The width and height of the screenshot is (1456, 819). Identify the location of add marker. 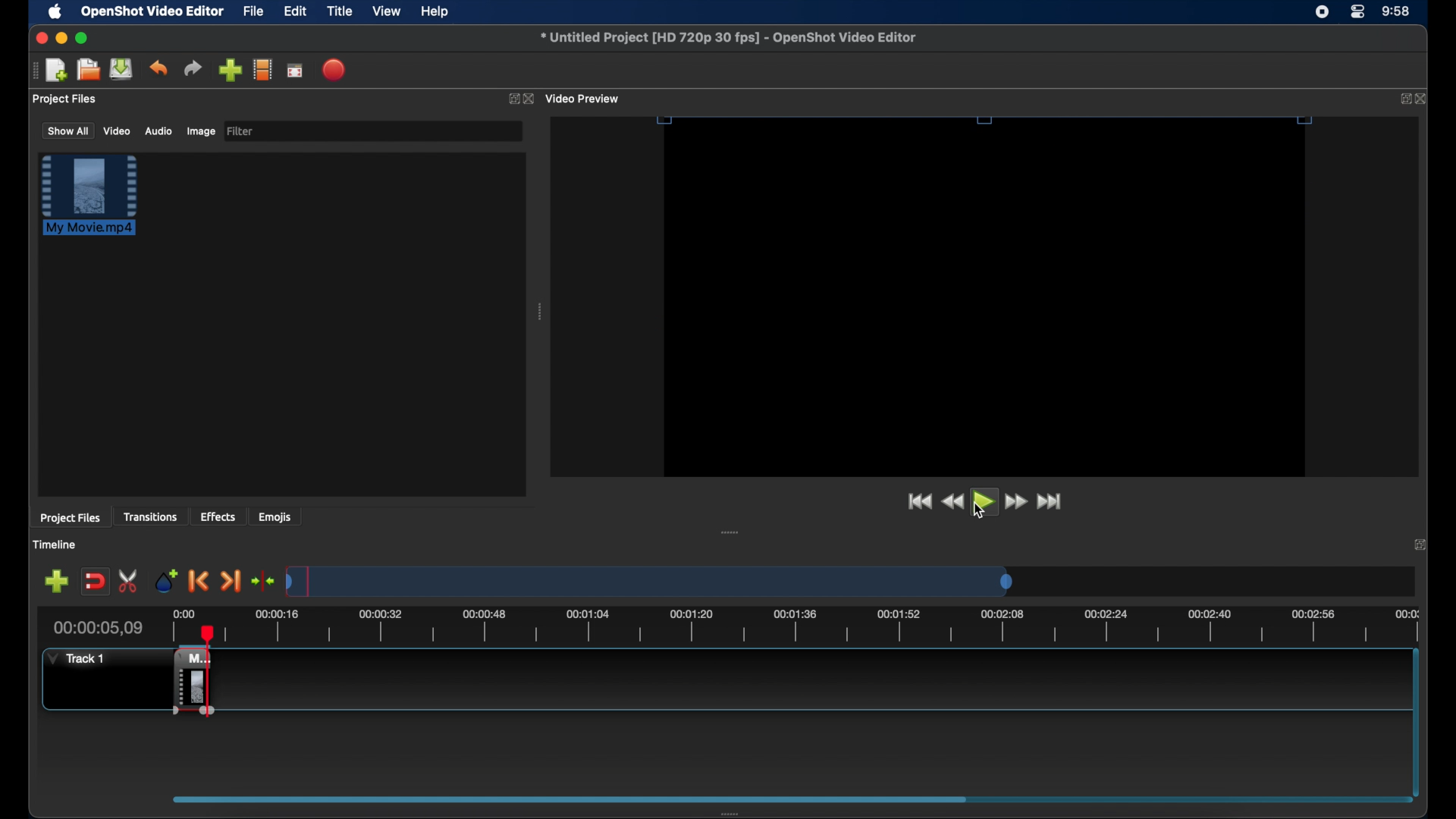
(166, 579).